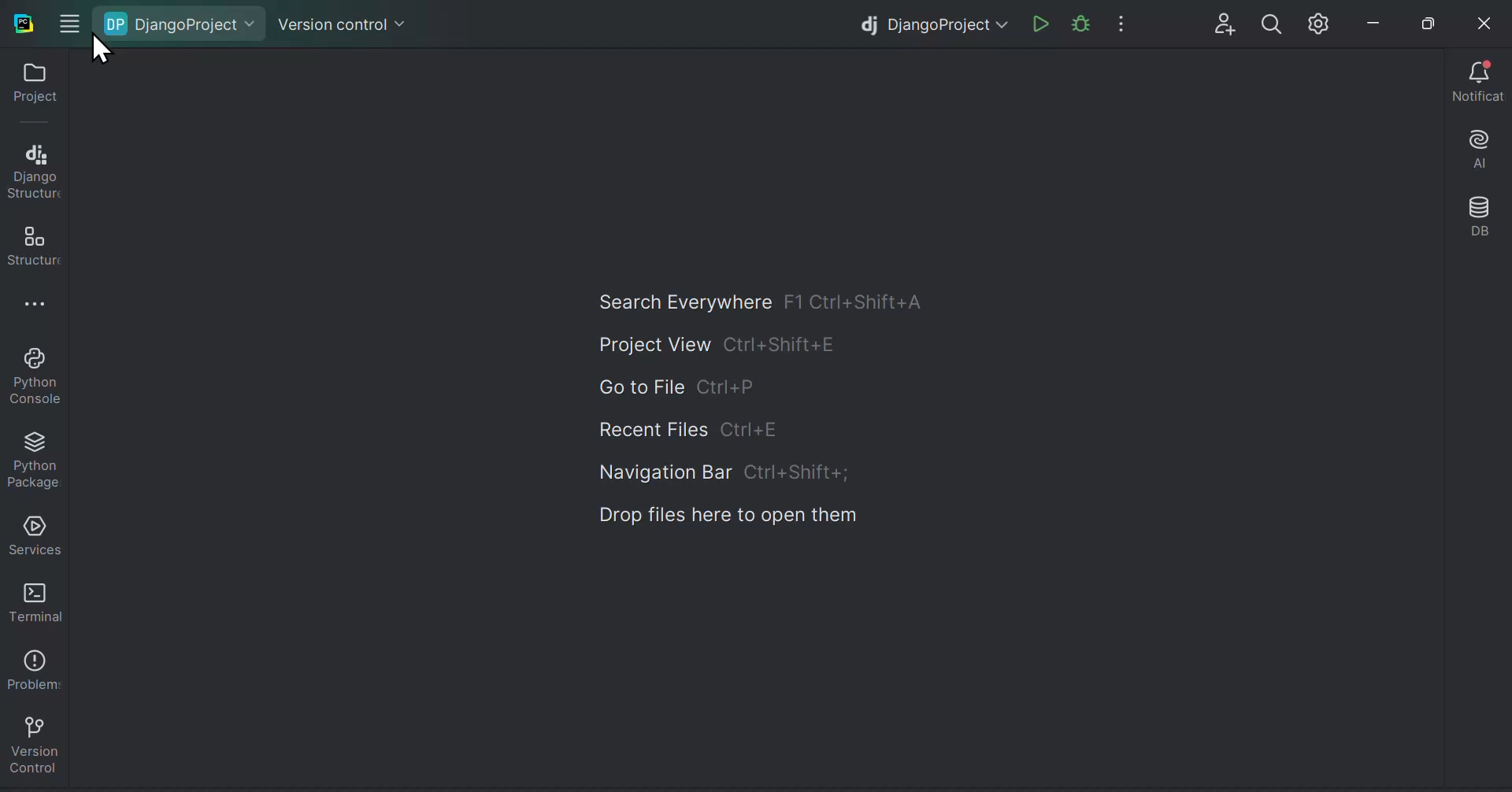 Image resolution: width=1512 pixels, height=792 pixels. I want to click on Services, so click(33, 532).